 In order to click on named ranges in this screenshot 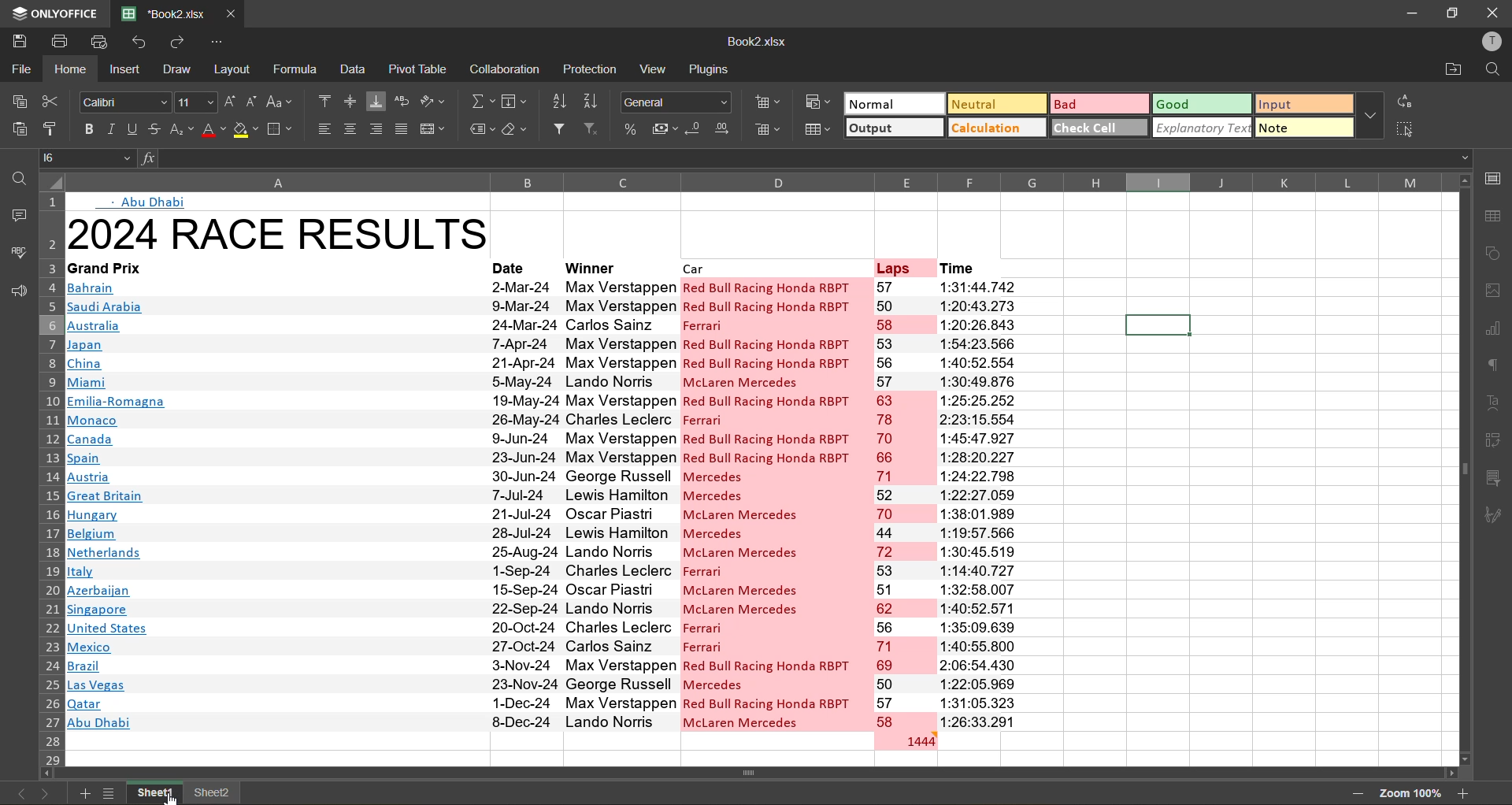, I will do `click(478, 132)`.